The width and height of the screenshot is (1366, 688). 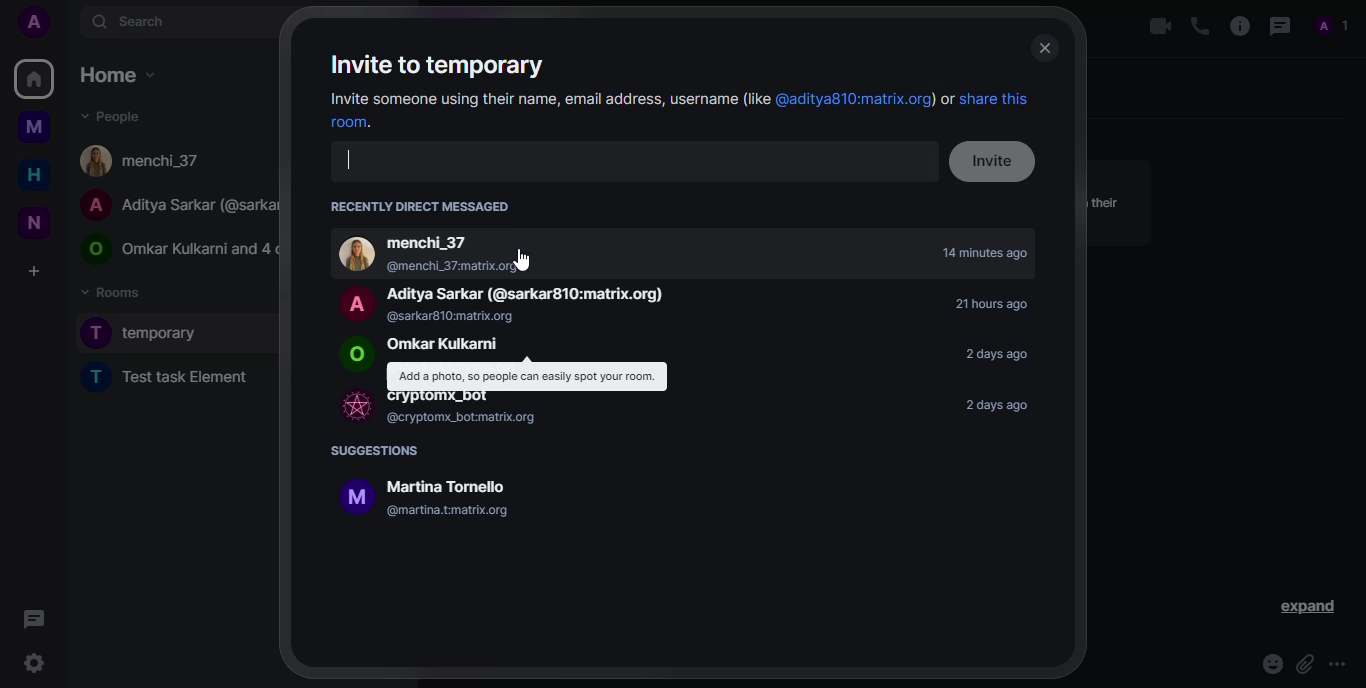 I want to click on Invite to temporary, so click(x=455, y=65).